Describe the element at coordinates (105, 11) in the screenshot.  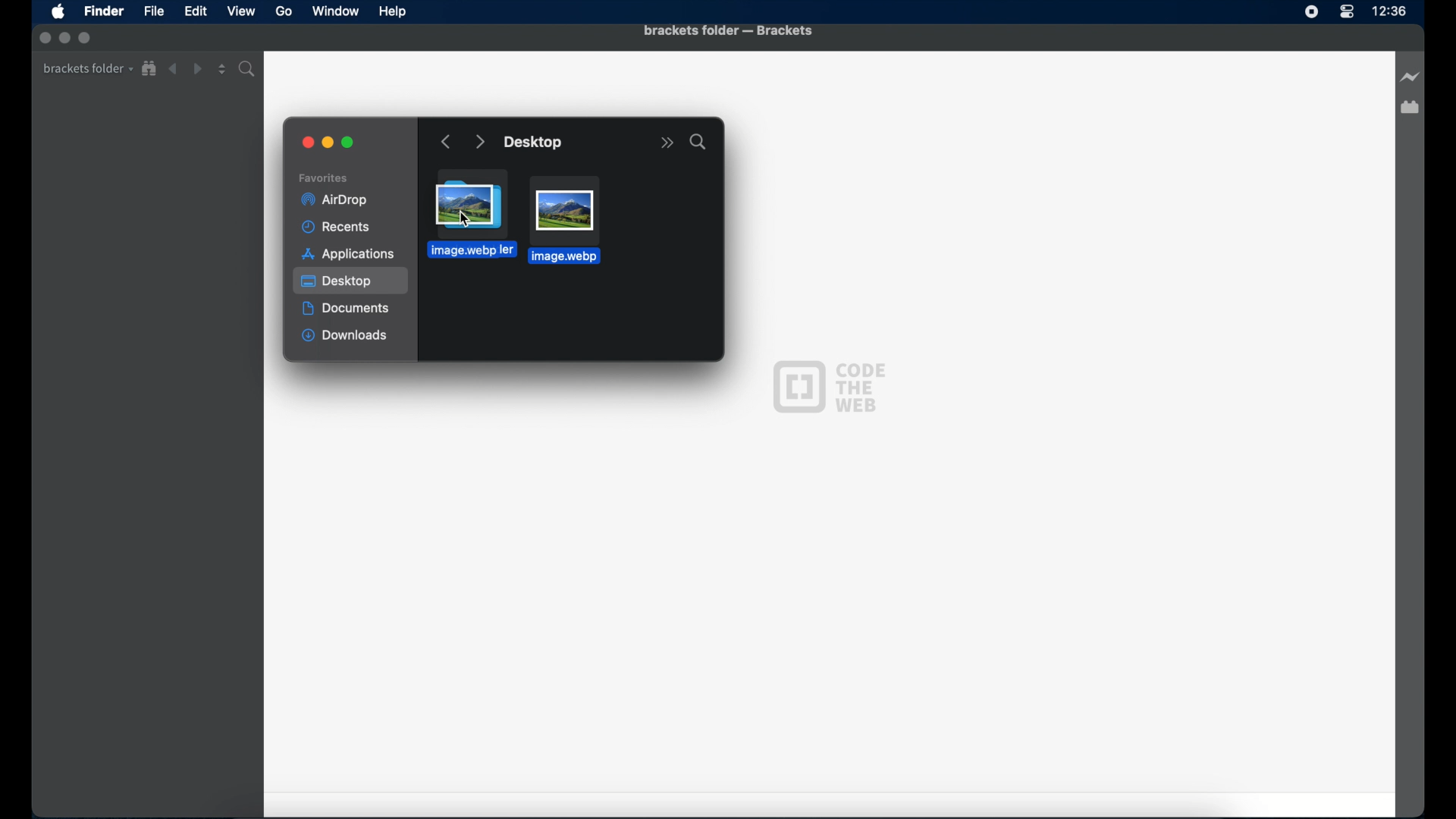
I see `Finder` at that location.